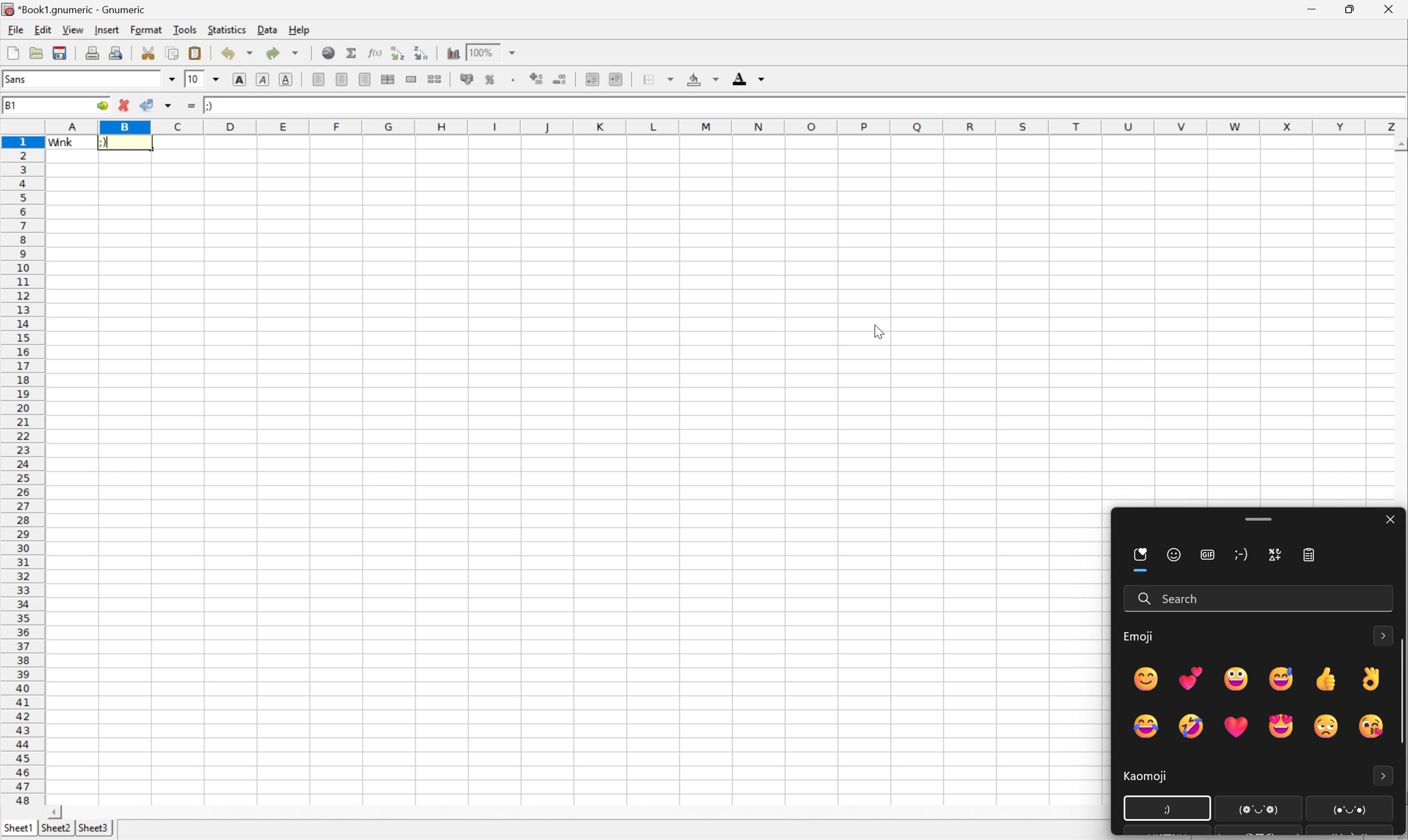 This screenshot has height=840, width=1408. What do you see at coordinates (533, 79) in the screenshot?
I see `increase number of decimals displayed` at bounding box center [533, 79].